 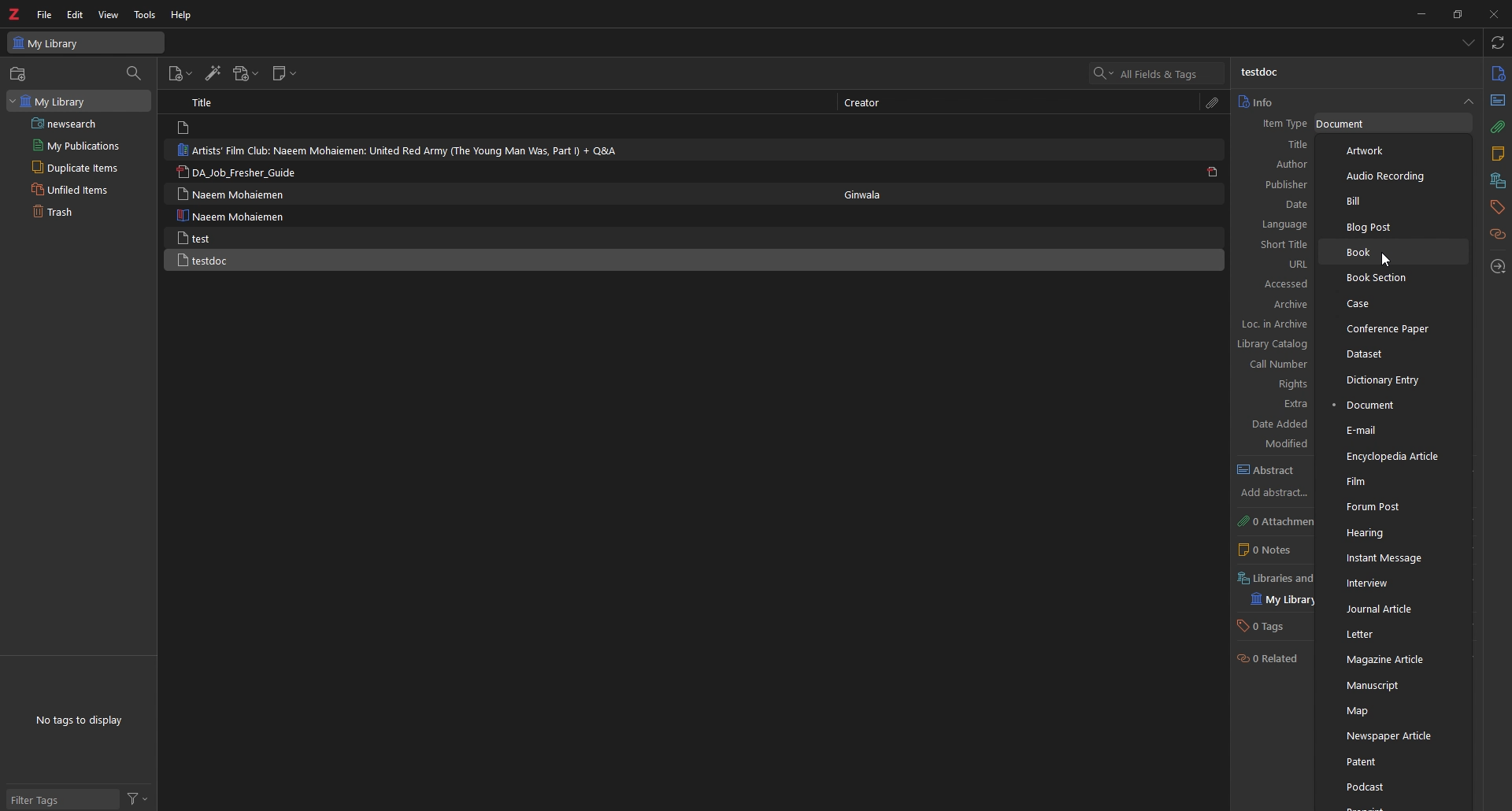 What do you see at coordinates (1280, 265) in the screenshot?
I see `URL` at bounding box center [1280, 265].